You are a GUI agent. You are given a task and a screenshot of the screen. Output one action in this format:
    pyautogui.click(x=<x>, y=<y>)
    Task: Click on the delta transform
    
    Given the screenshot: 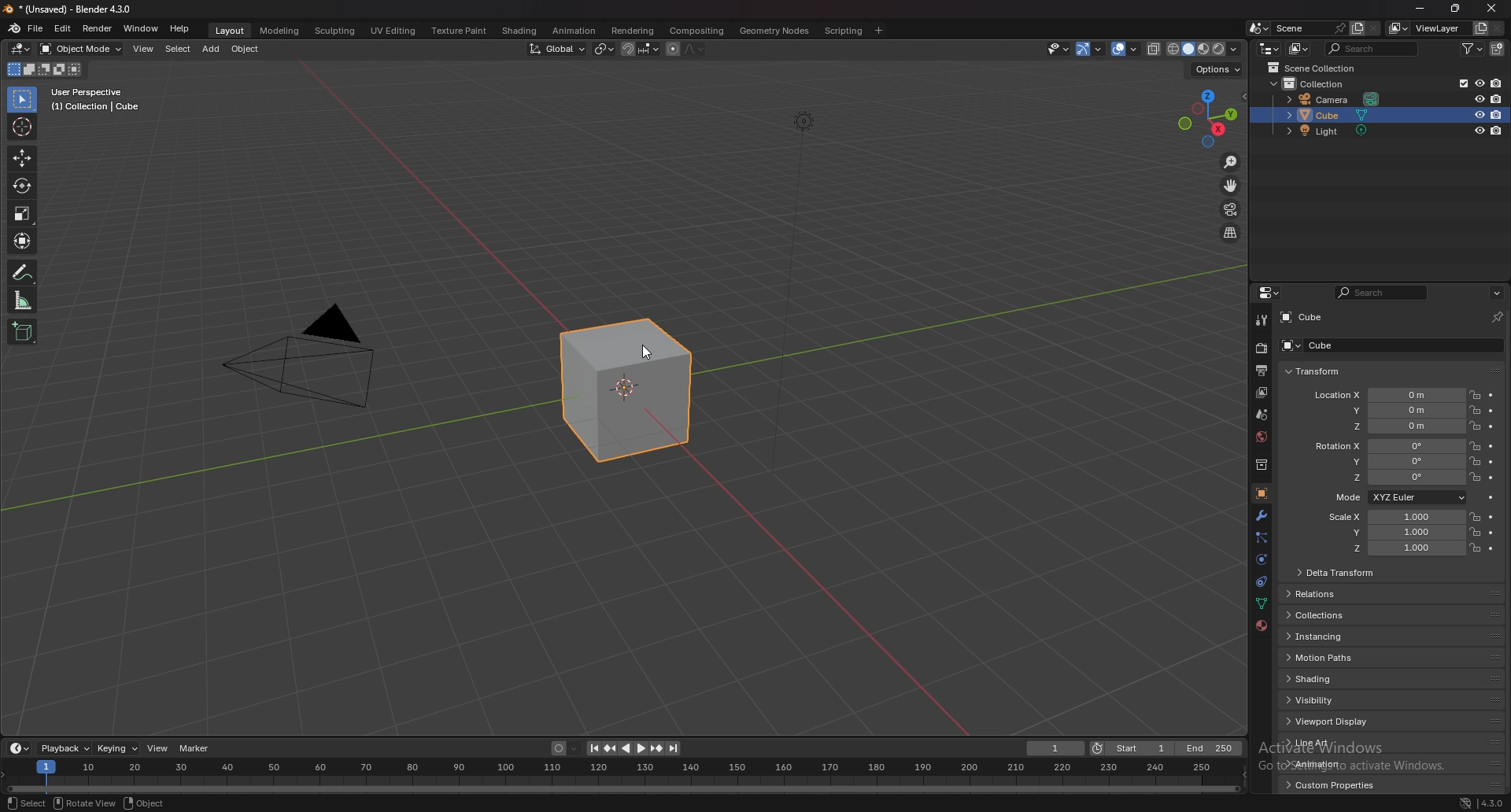 What is the action you would take?
    pyautogui.click(x=1338, y=571)
    